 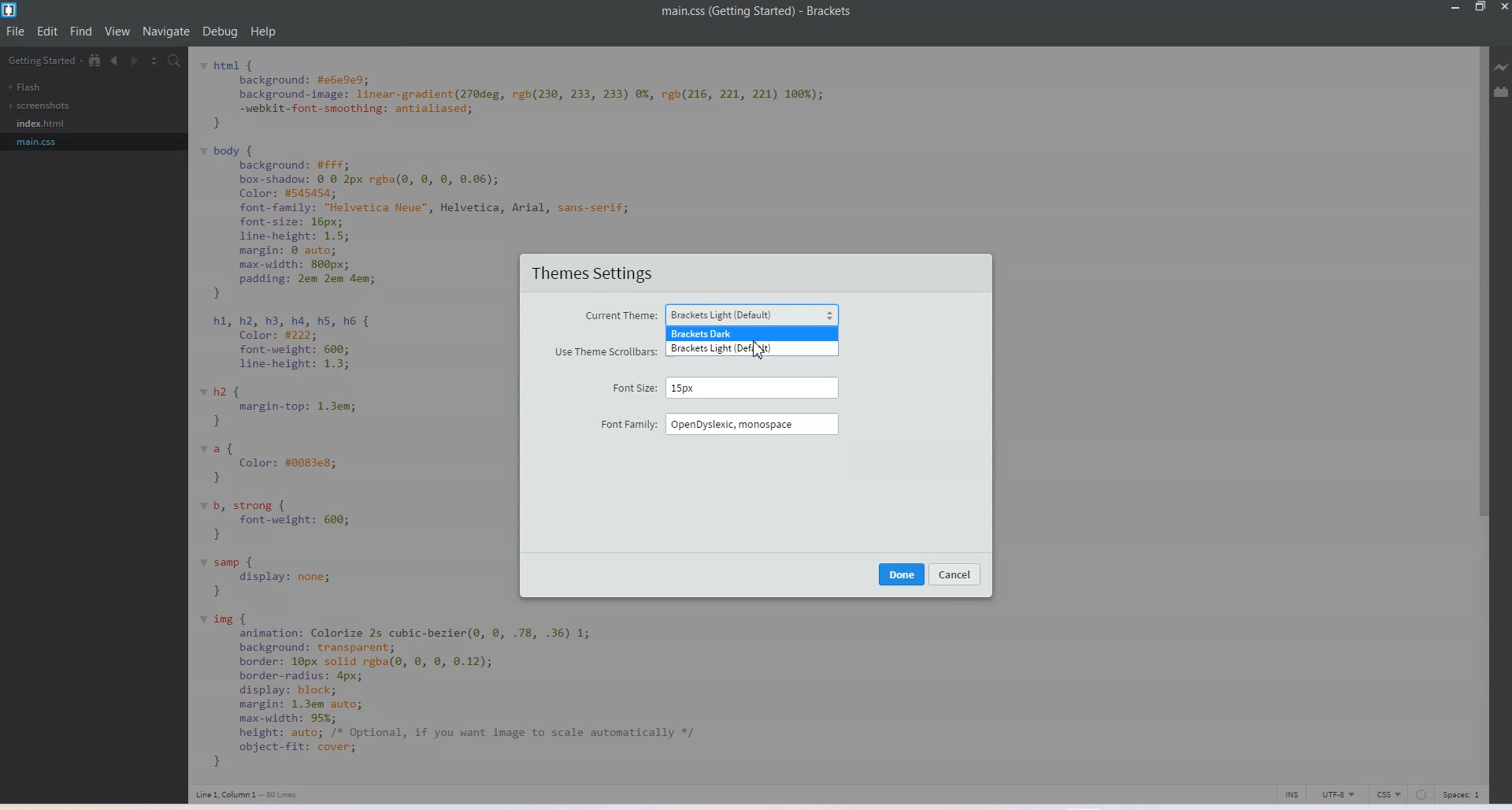 What do you see at coordinates (43, 124) in the screenshot?
I see `index.html` at bounding box center [43, 124].